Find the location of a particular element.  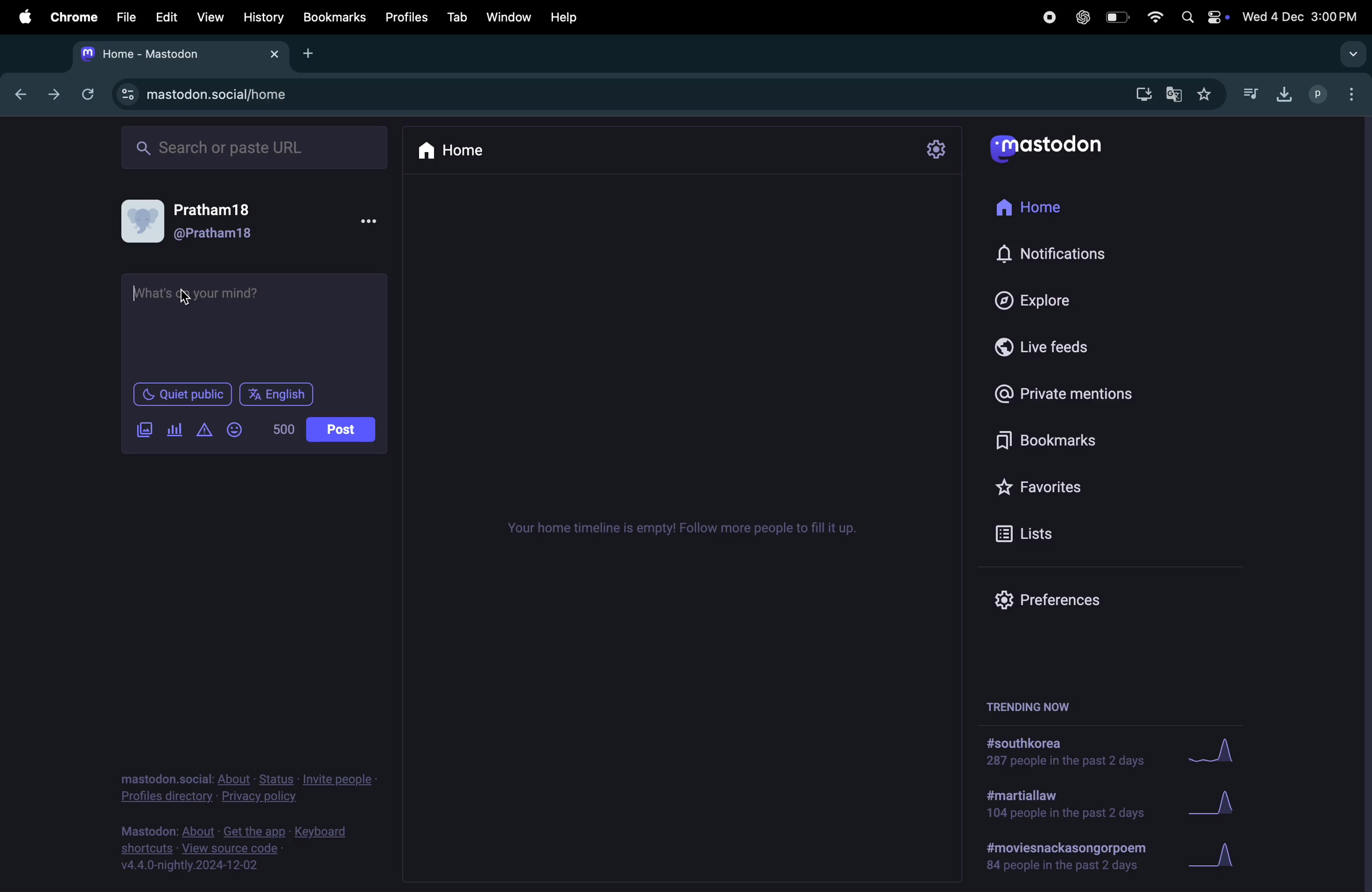

filw is located at coordinates (122, 17).